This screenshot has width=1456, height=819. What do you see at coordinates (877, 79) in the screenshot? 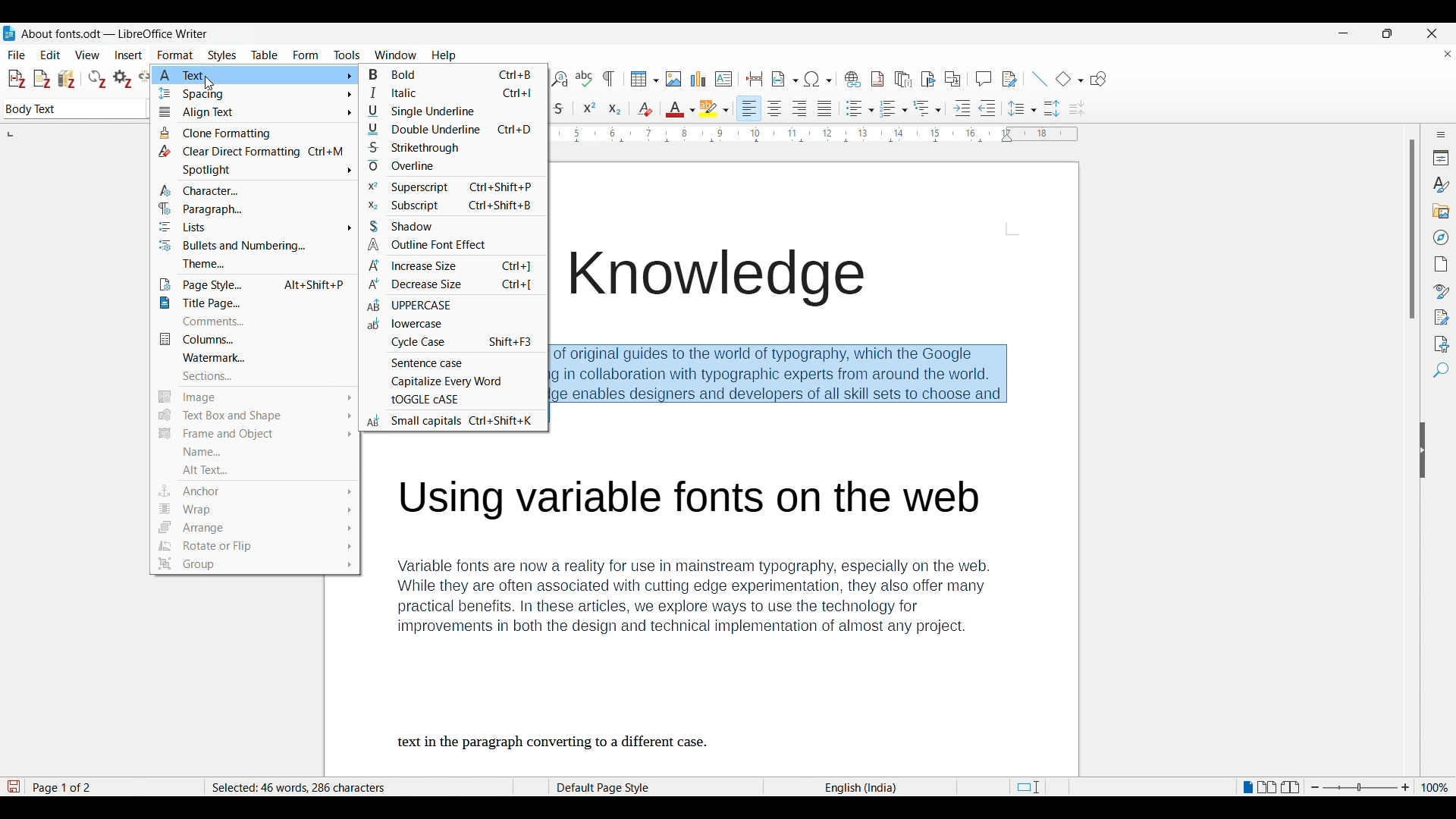
I see `Insert footnote` at bounding box center [877, 79].